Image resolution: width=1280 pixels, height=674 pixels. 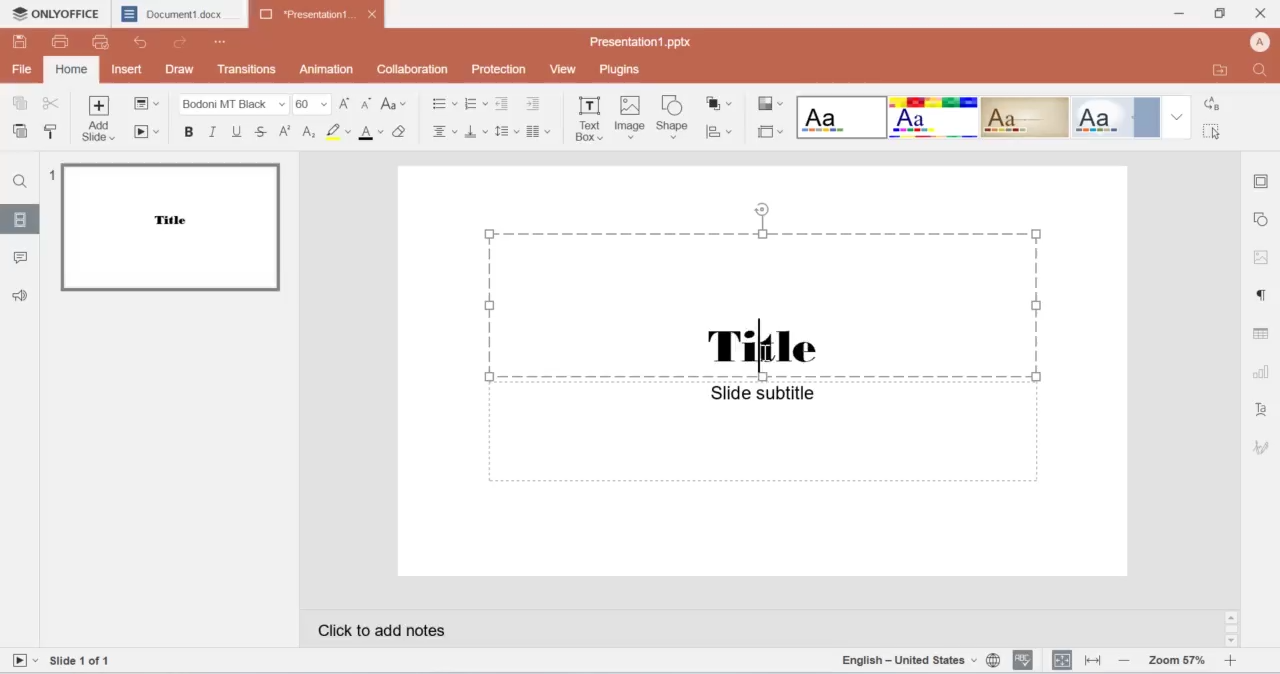 I want to click on decrease, so click(x=1124, y=662).